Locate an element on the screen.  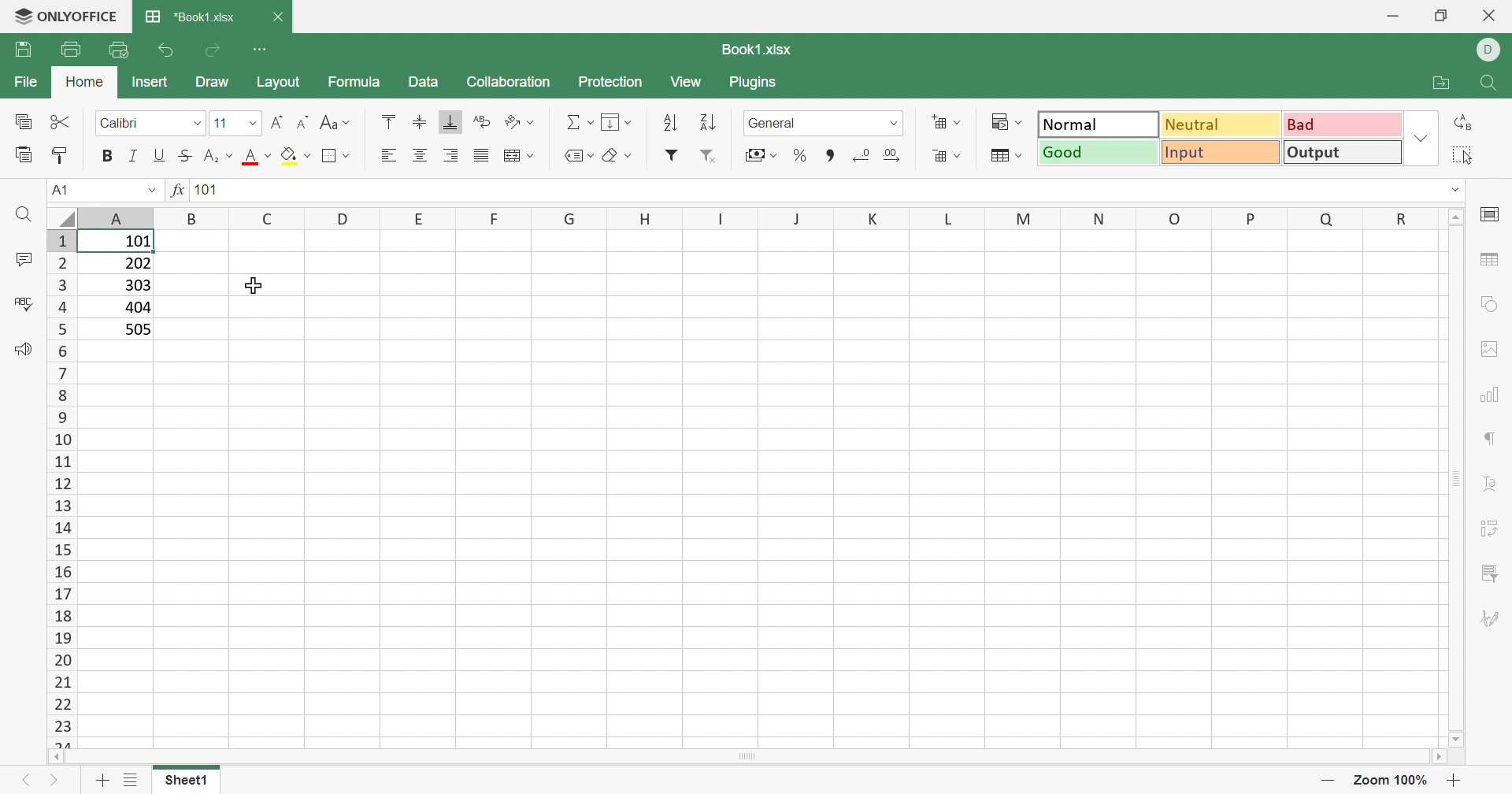
Add sheet is located at coordinates (102, 781).